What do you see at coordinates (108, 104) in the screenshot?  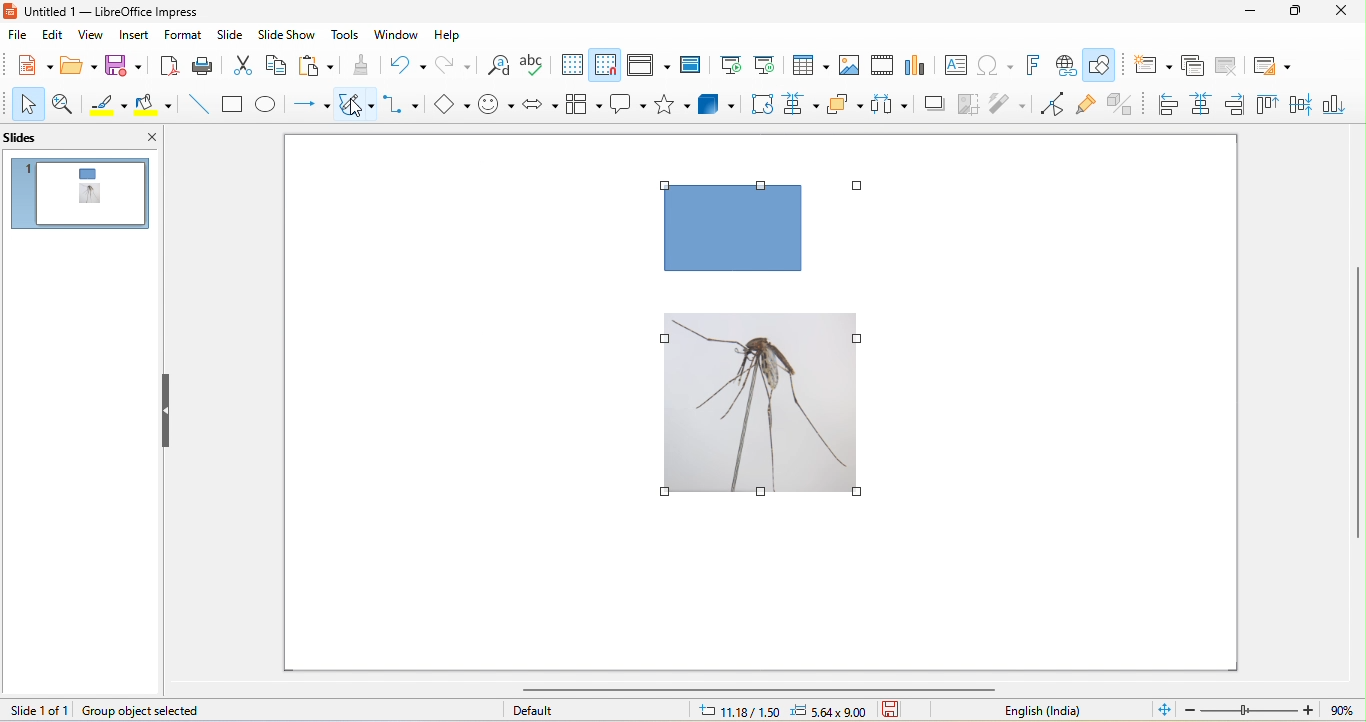 I see `line color` at bounding box center [108, 104].